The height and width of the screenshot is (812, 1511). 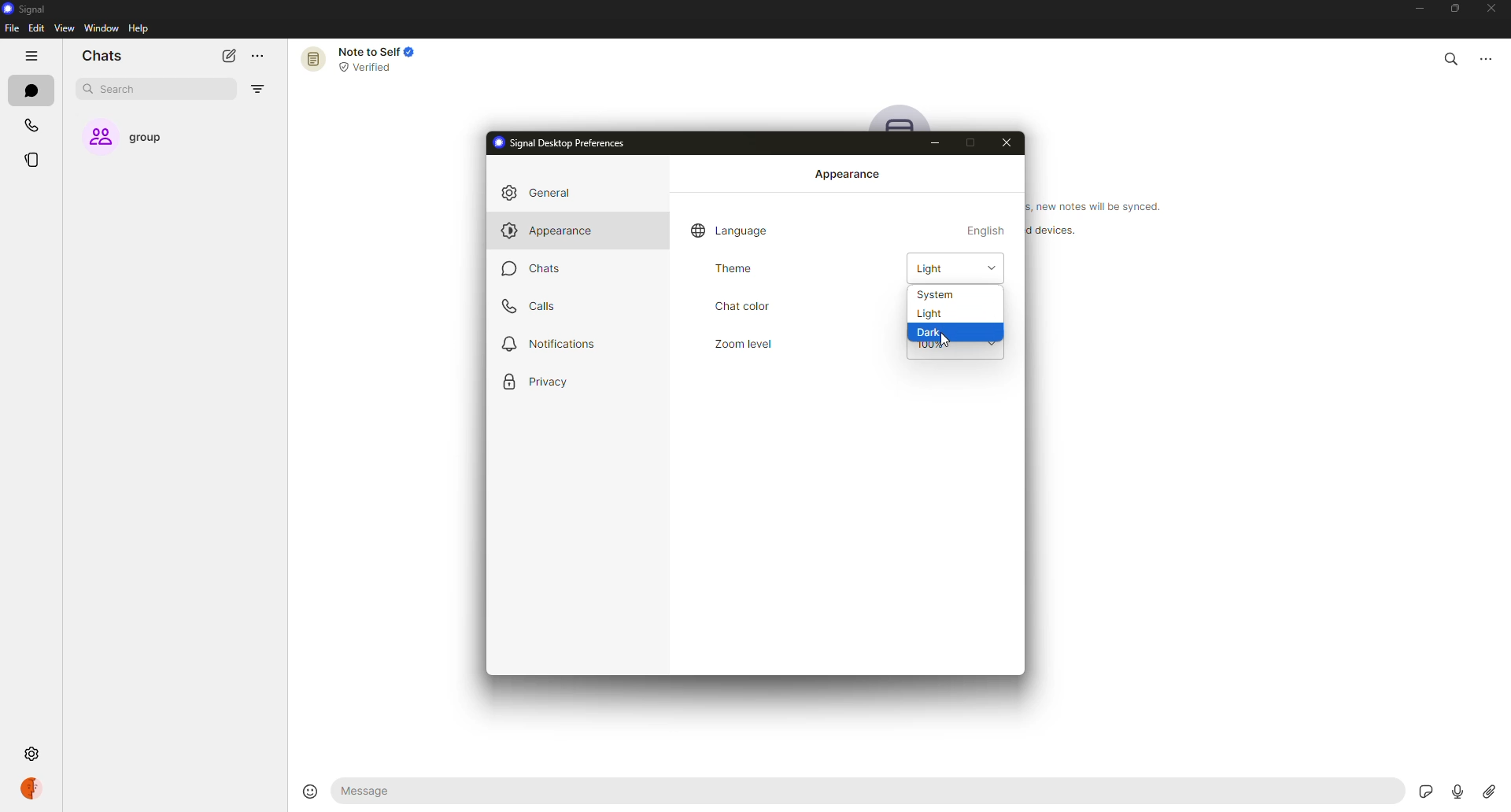 What do you see at coordinates (257, 90) in the screenshot?
I see `filter` at bounding box center [257, 90].